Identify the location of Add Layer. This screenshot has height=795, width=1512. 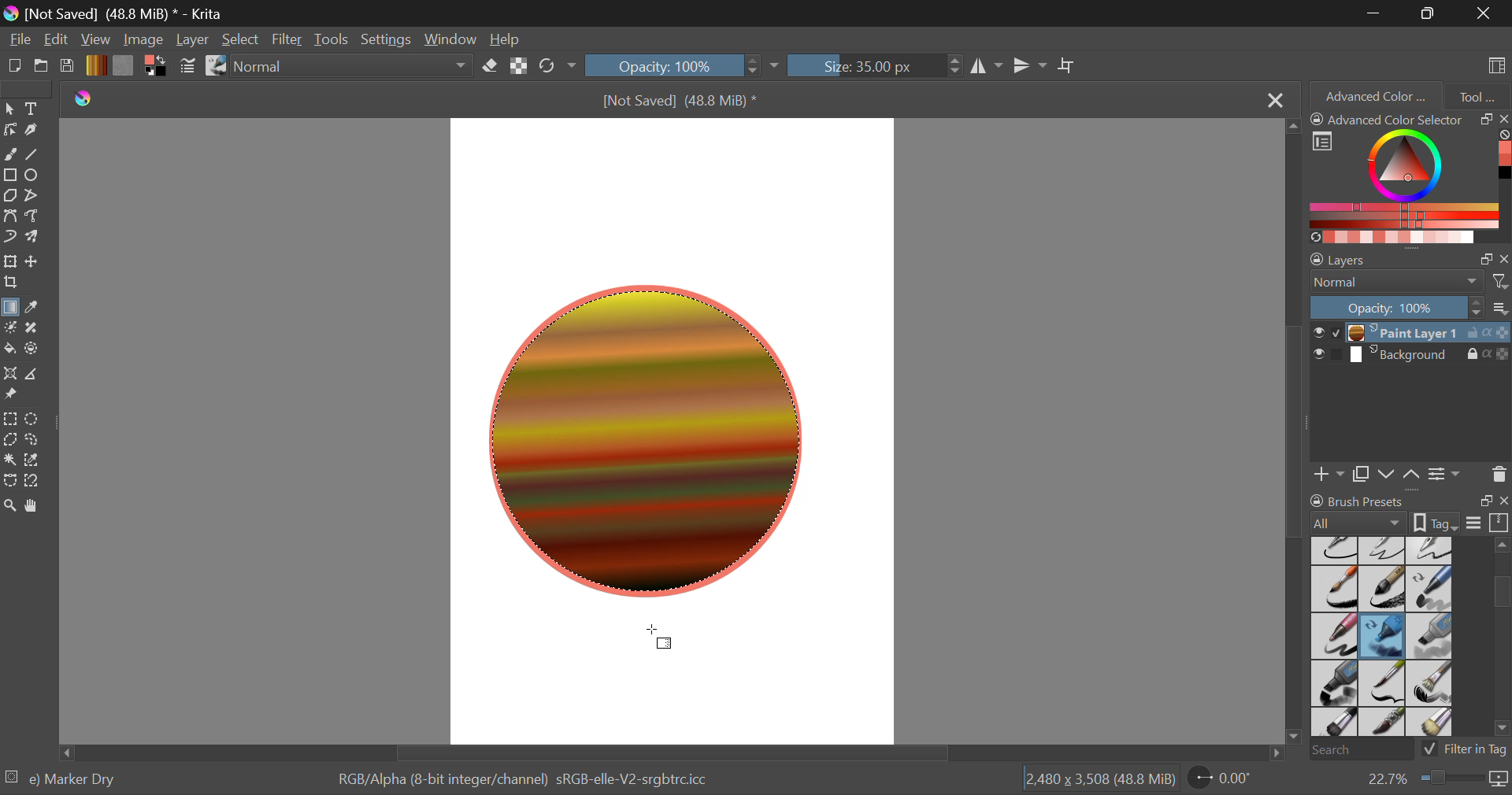
(1329, 472).